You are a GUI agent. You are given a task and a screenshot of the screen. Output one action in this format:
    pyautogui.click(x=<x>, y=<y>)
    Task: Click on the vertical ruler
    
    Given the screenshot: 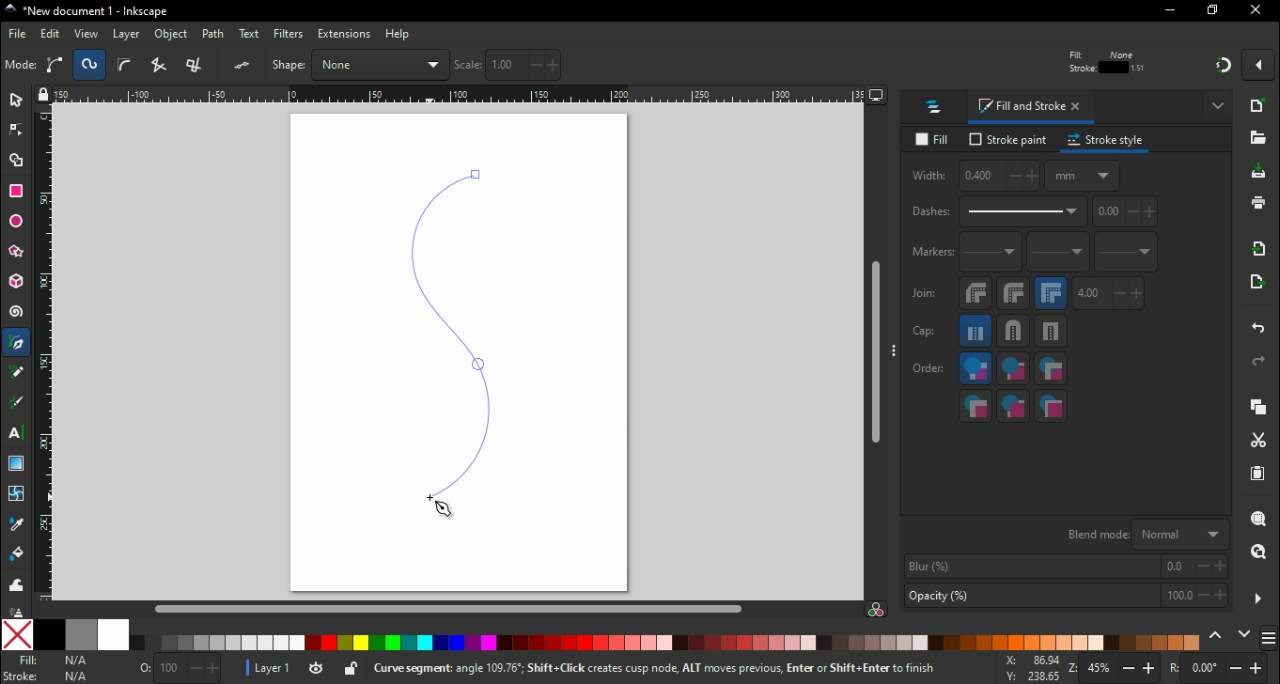 What is the action you would take?
    pyautogui.click(x=45, y=356)
    